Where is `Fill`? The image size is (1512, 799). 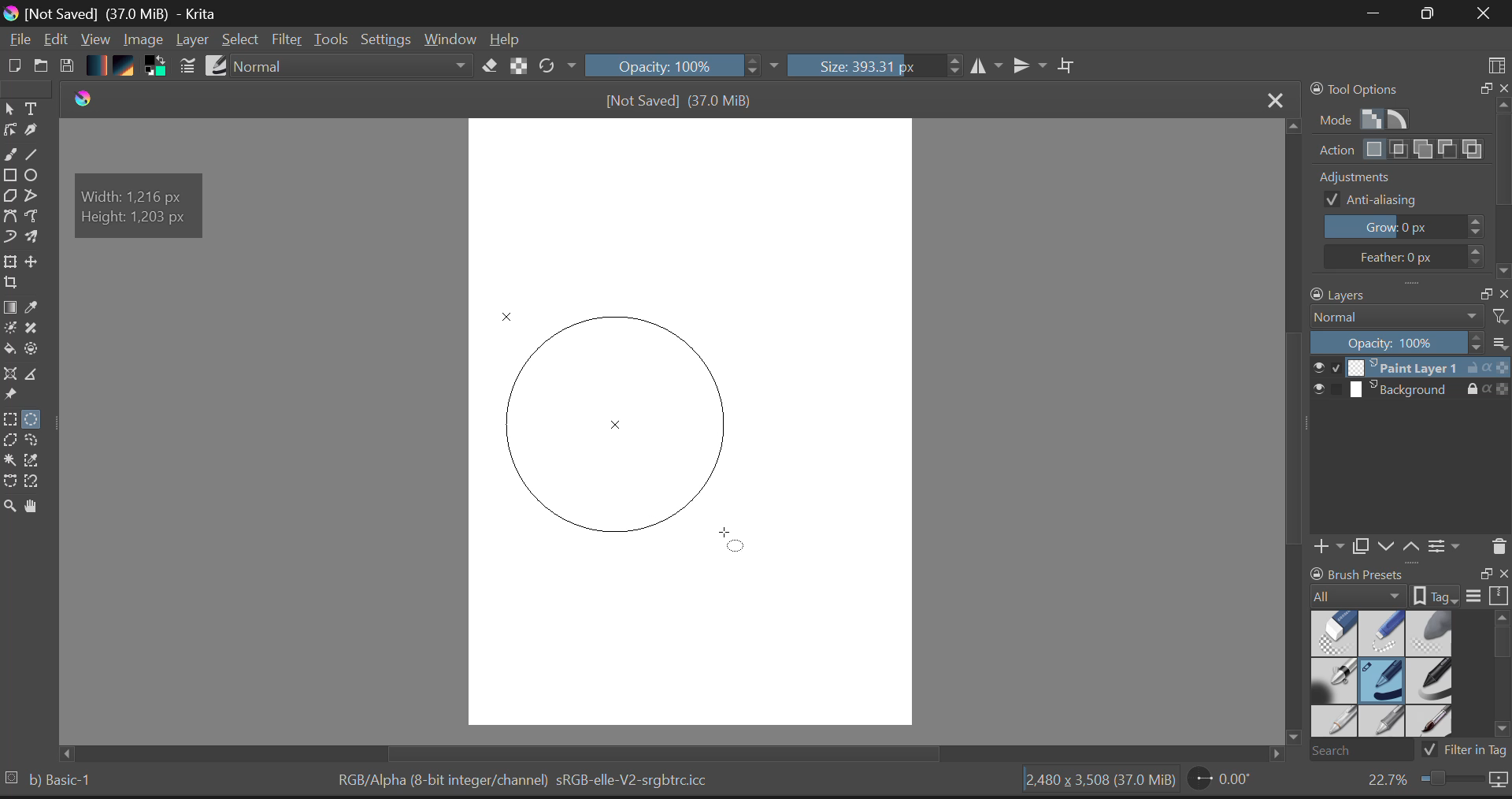
Fill is located at coordinates (11, 349).